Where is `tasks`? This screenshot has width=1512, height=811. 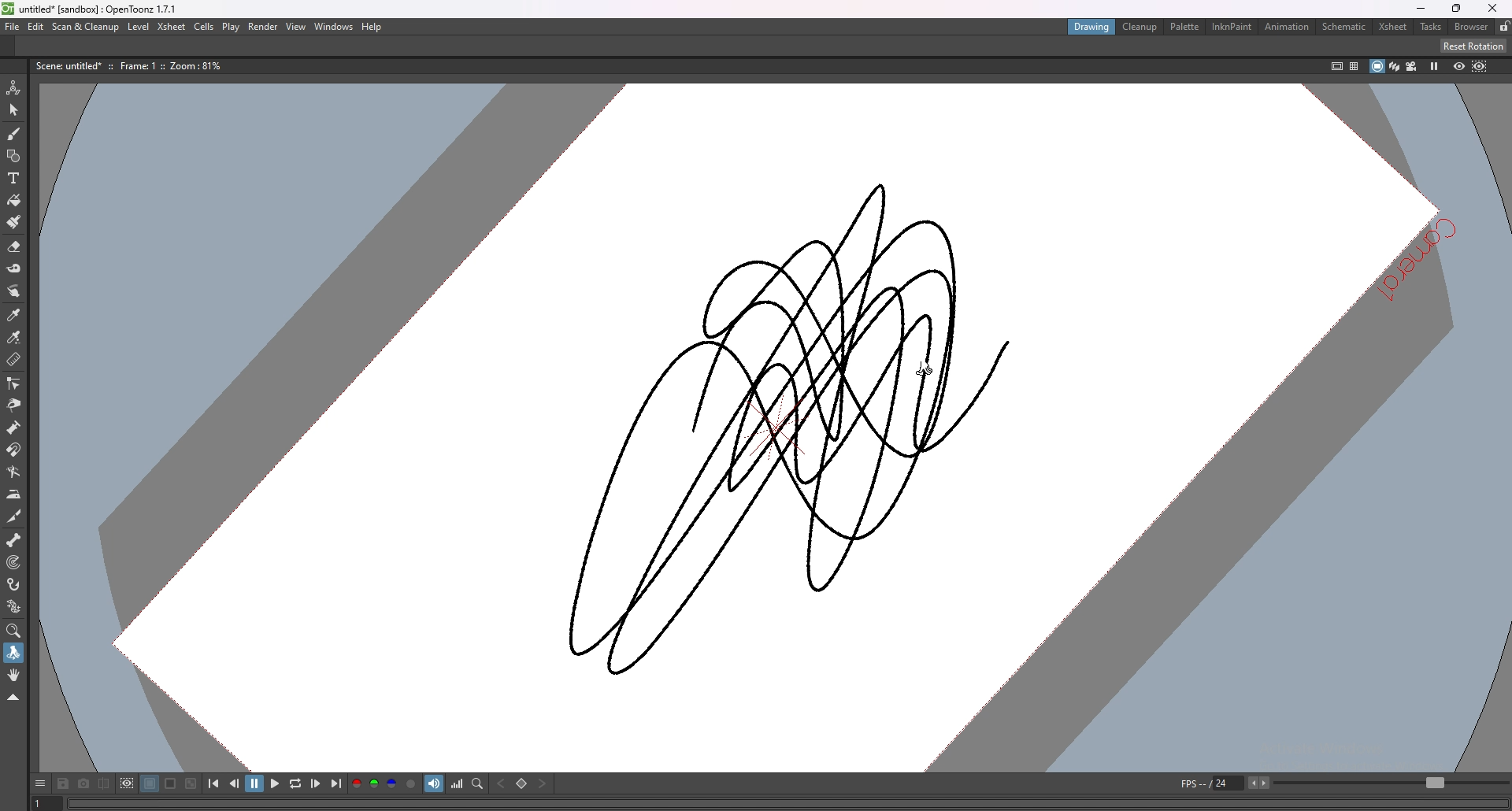
tasks is located at coordinates (1430, 27).